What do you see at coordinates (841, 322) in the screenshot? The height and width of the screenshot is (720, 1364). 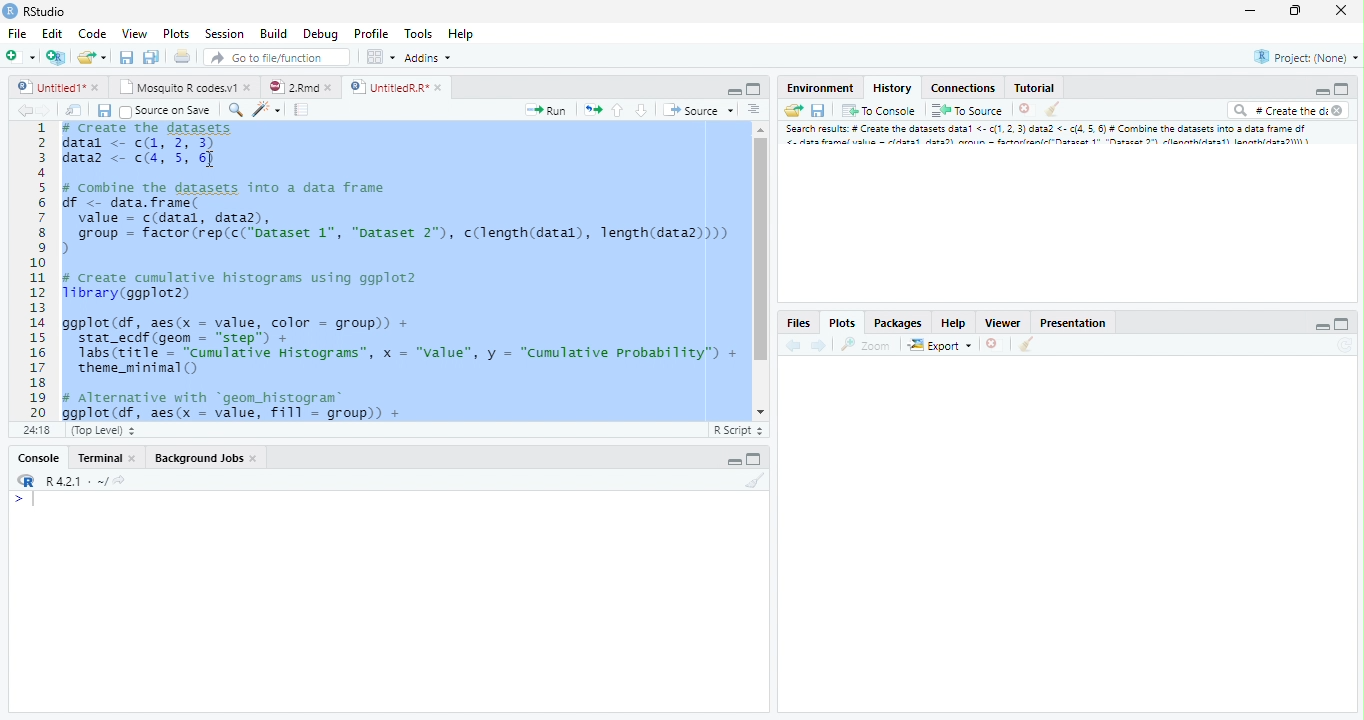 I see `Plots` at bounding box center [841, 322].